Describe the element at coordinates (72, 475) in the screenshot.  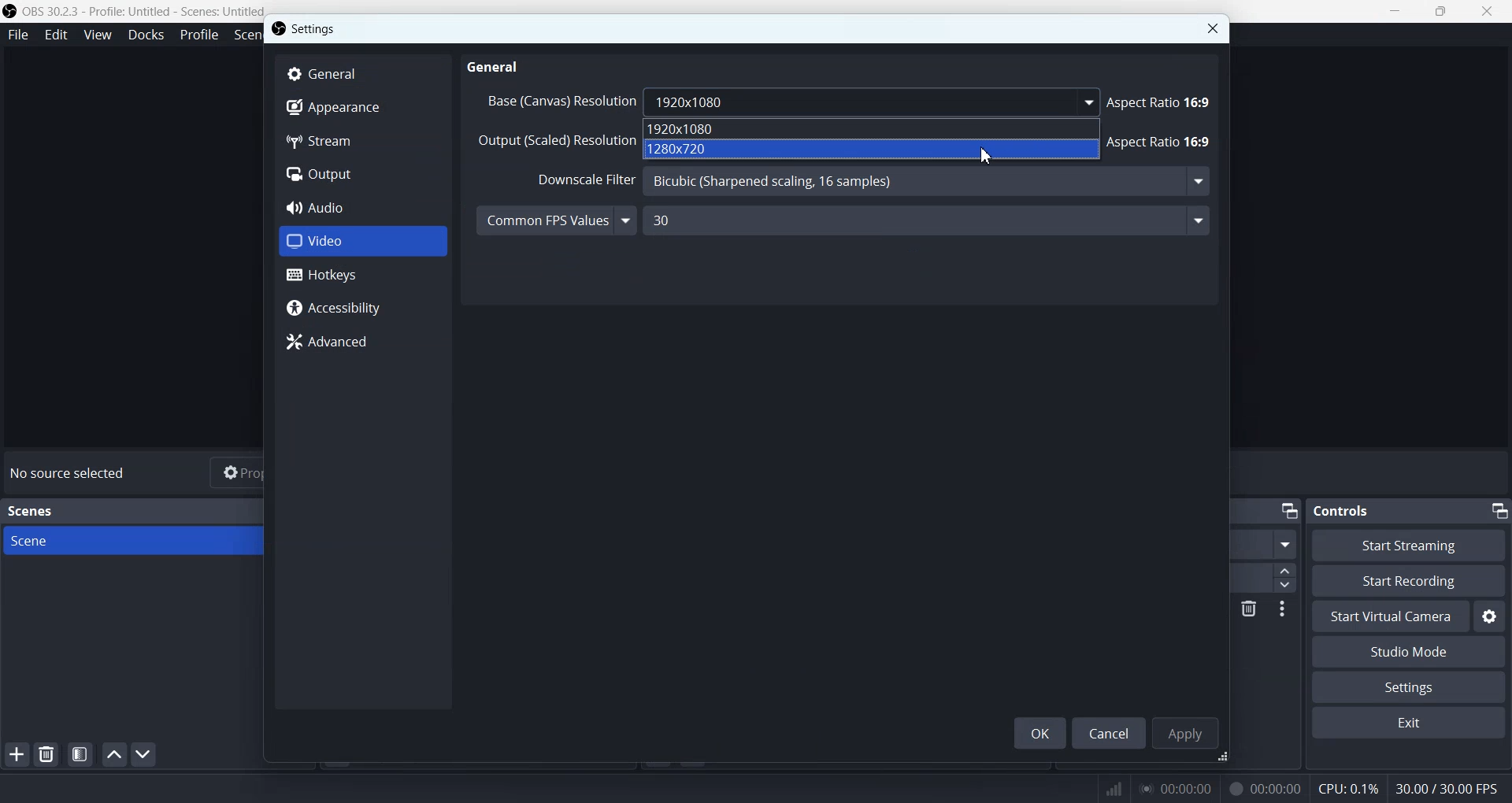
I see `No source selected` at that location.